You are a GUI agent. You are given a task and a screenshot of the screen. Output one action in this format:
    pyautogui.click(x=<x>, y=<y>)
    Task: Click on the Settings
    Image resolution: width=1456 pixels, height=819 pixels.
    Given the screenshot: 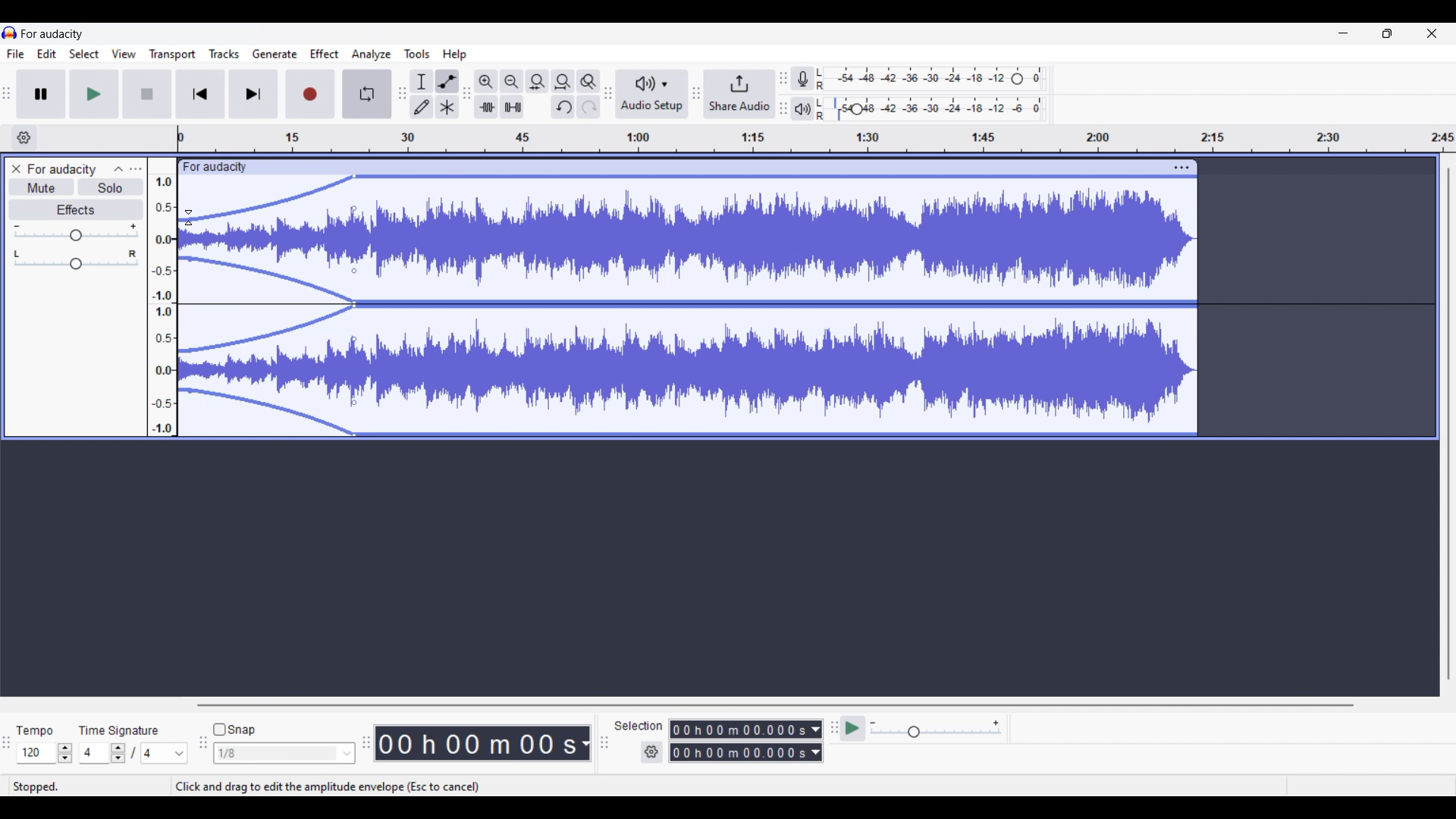 What is the action you would take?
    pyautogui.click(x=652, y=752)
    